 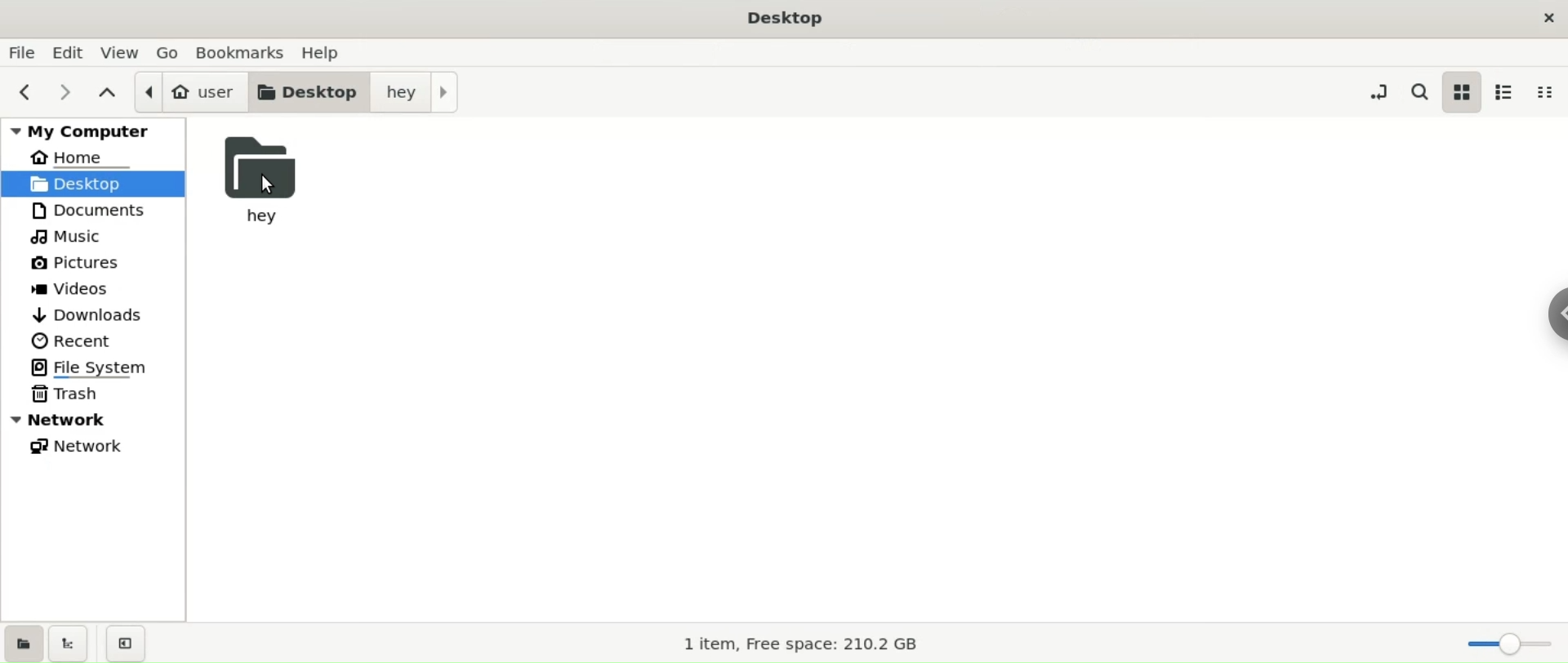 What do you see at coordinates (1549, 92) in the screenshot?
I see `compact view` at bounding box center [1549, 92].